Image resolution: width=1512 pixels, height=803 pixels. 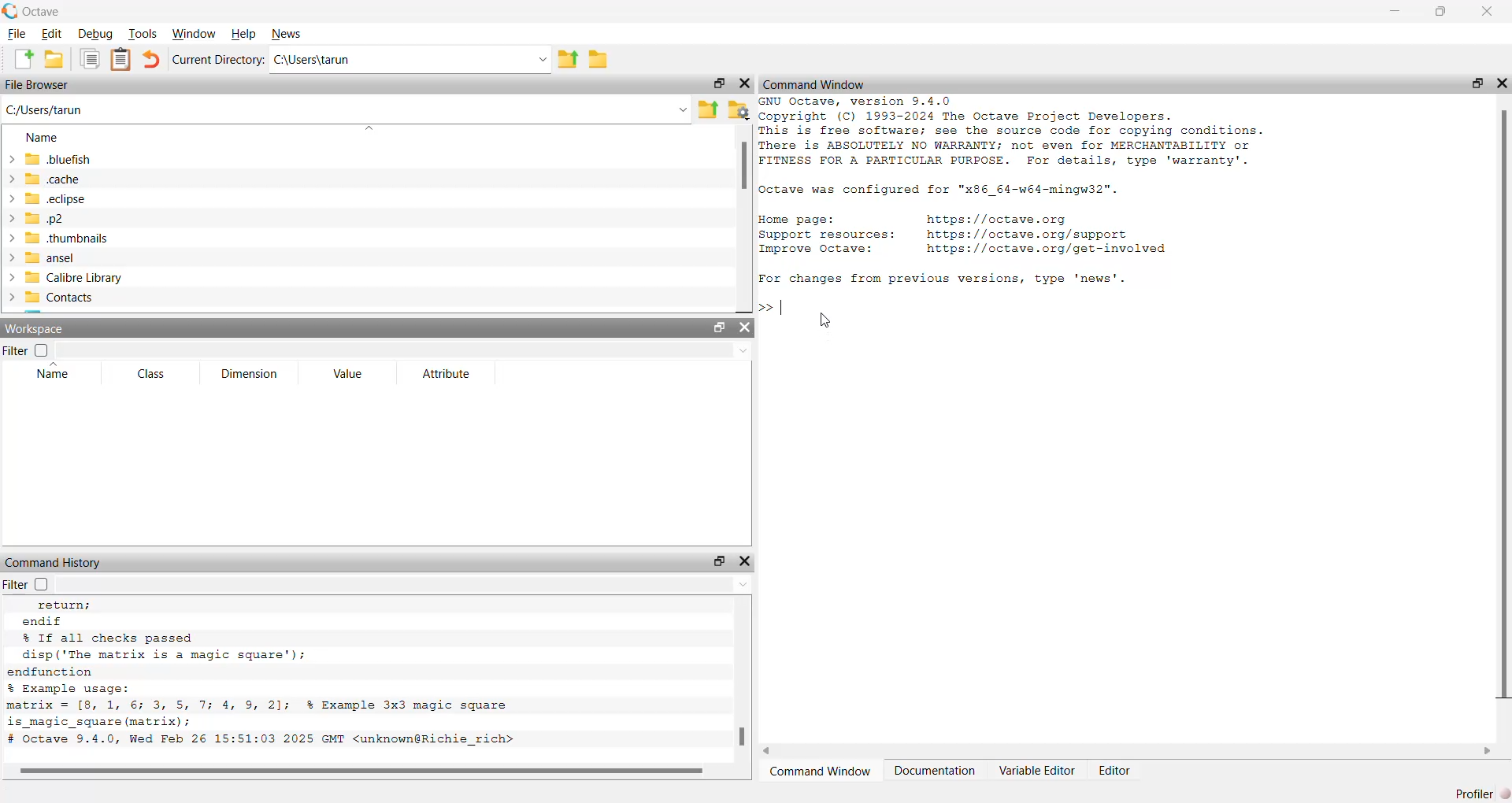 I want to click on scroll right, so click(x=1488, y=752).